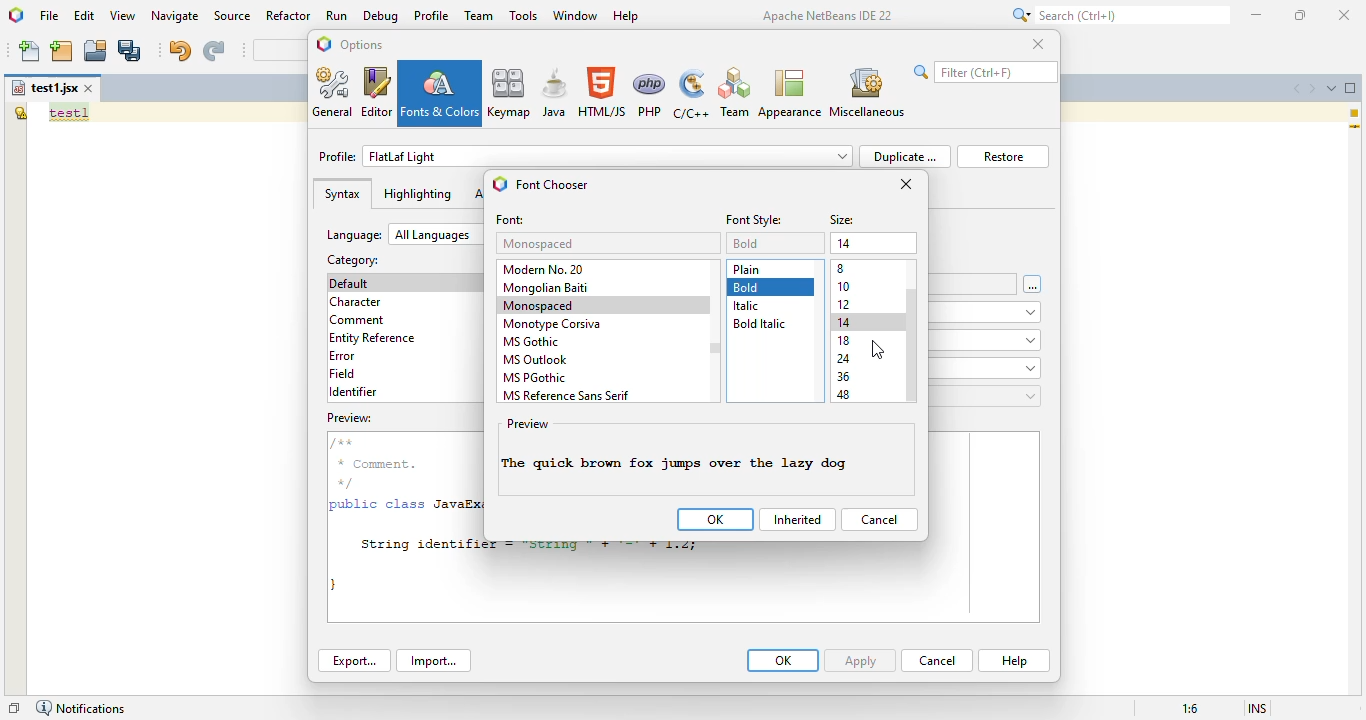 The height and width of the screenshot is (720, 1366). I want to click on options, so click(363, 45).